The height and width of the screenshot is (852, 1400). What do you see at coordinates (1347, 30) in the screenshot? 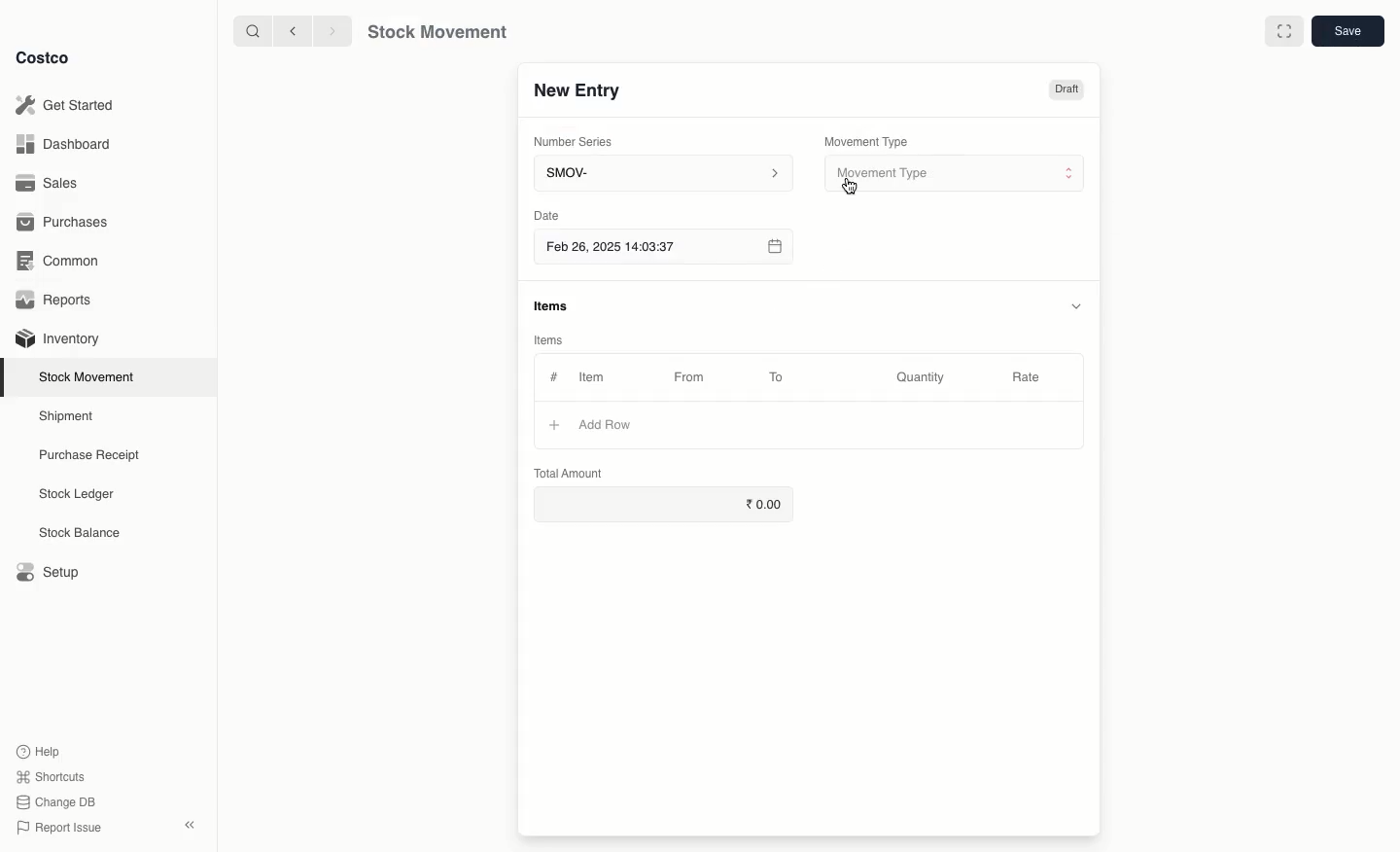
I see `save` at bounding box center [1347, 30].